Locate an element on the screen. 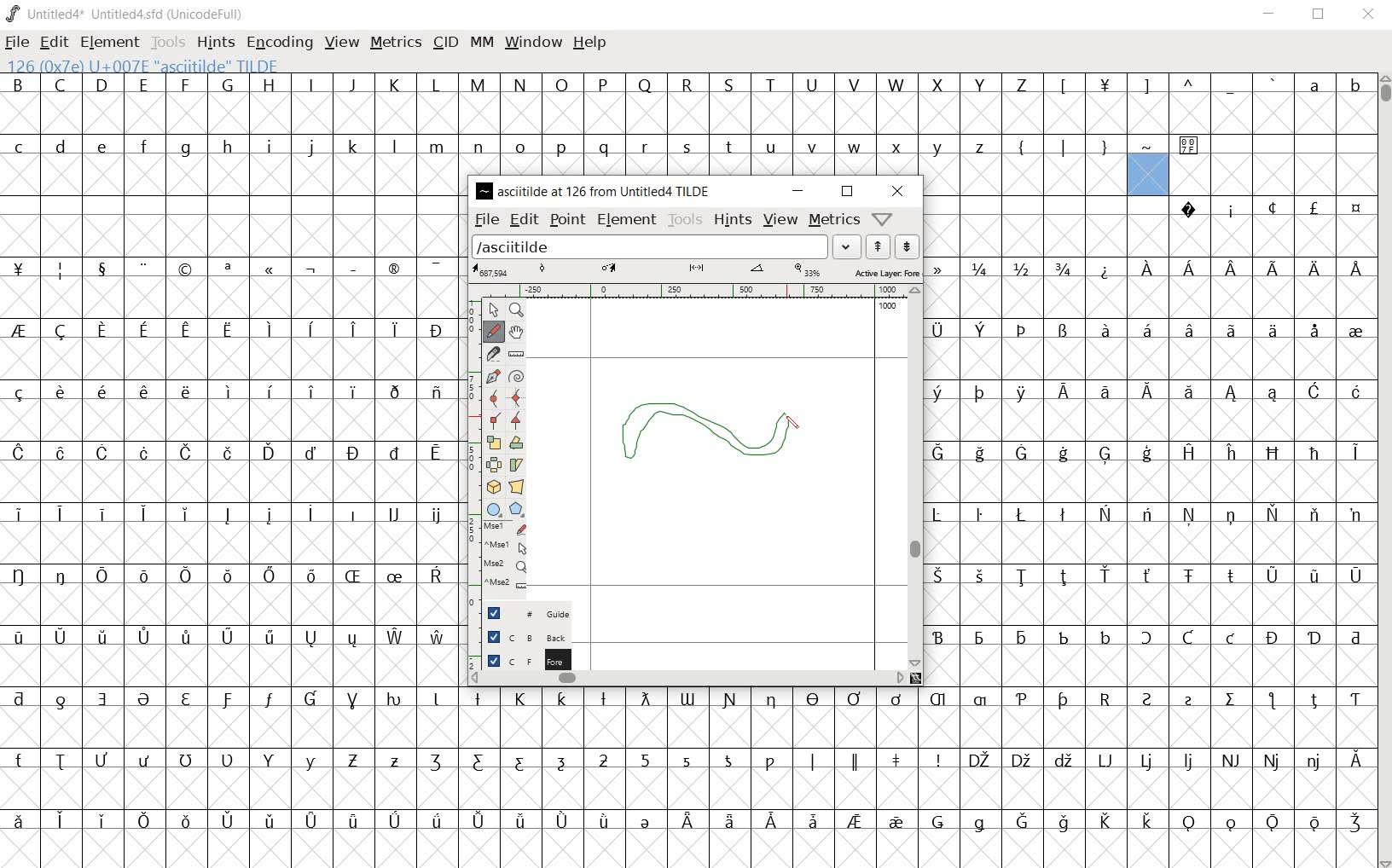 Image resolution: width=1392 pixels, height=868 pixels. RESTORE is located at coordinates (1322, 15).